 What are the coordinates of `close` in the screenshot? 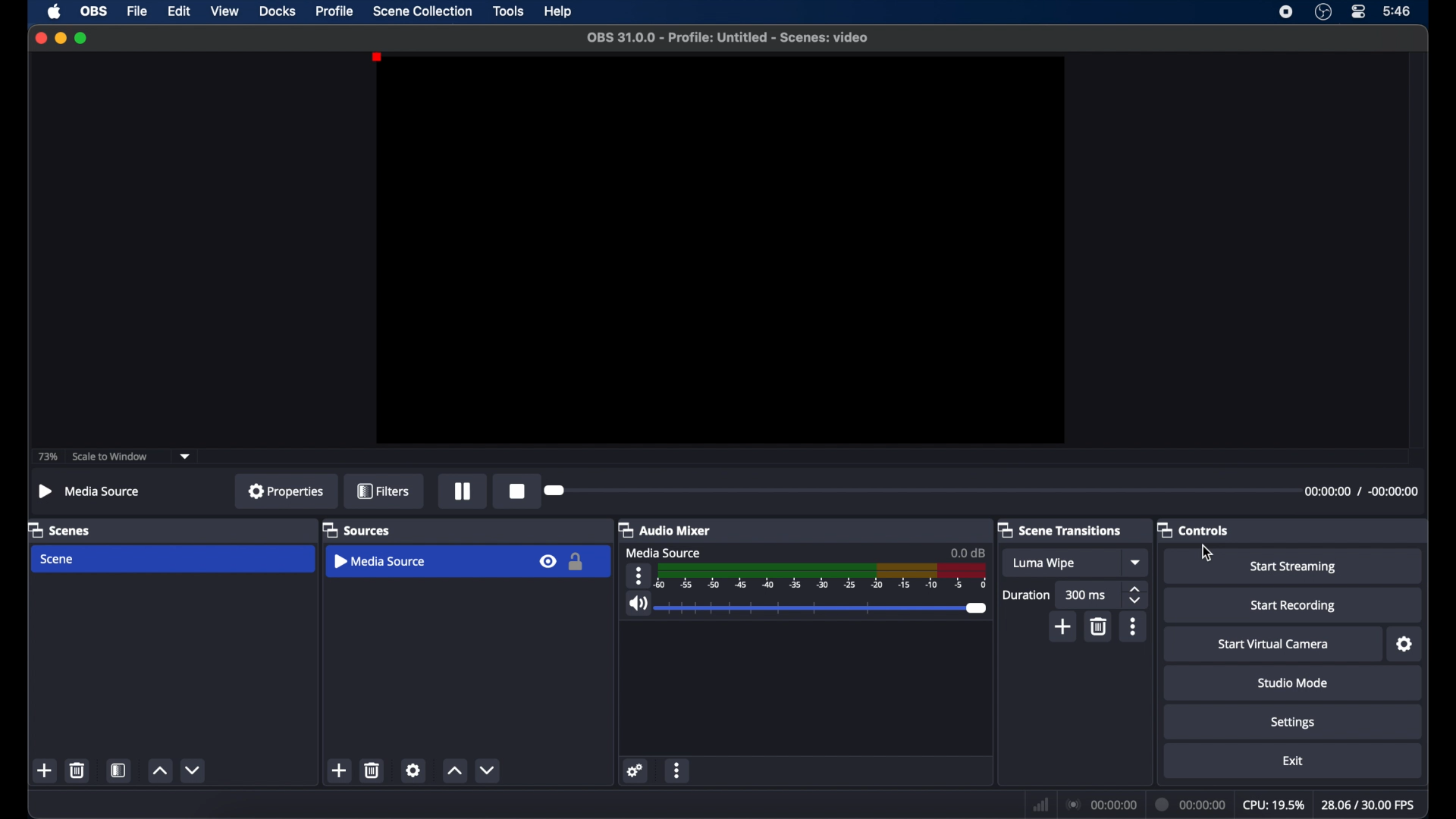 It's located at (40, 38).